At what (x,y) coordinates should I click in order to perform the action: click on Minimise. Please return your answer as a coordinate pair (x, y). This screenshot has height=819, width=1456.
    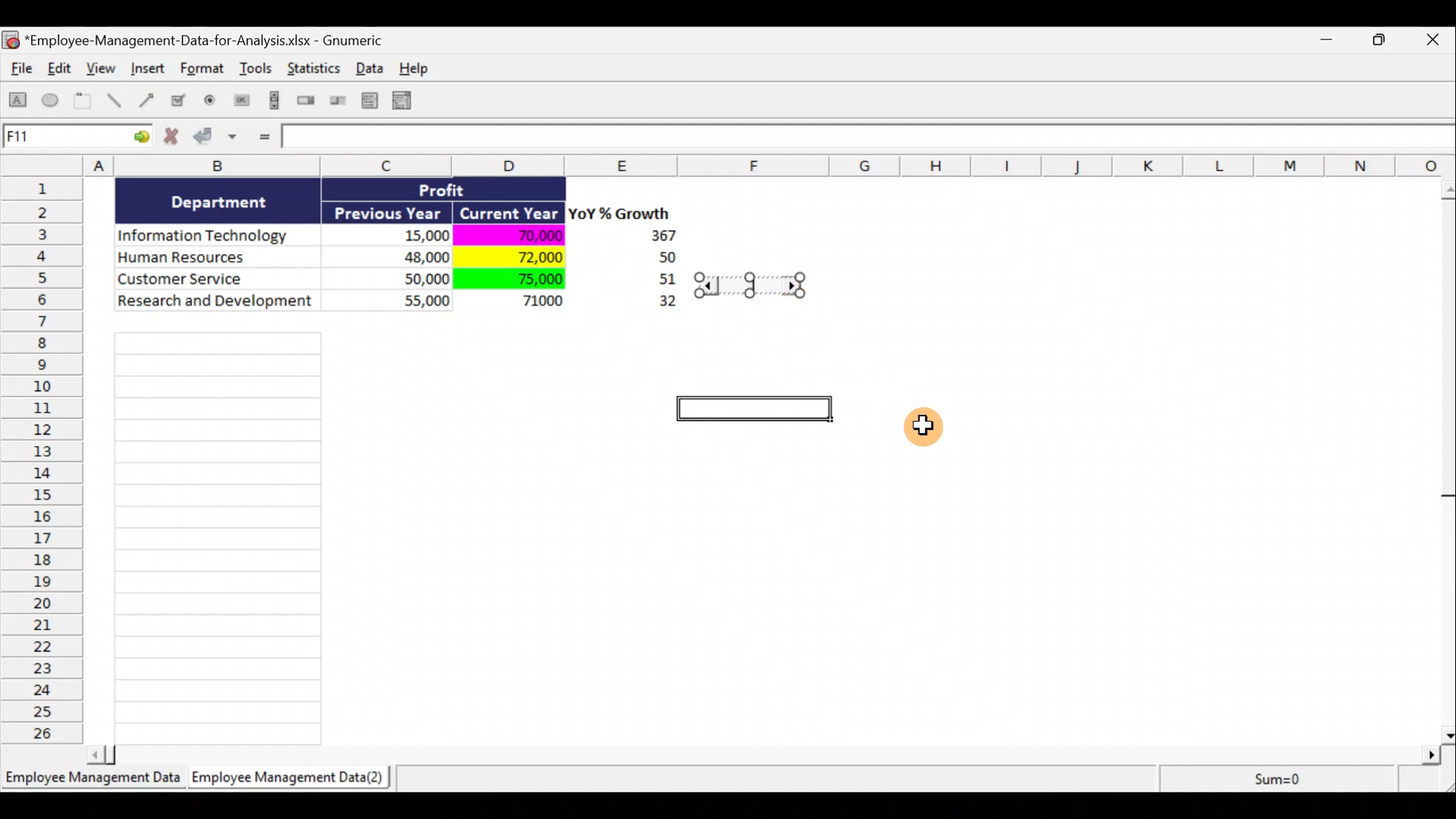
    Looking at the image, I should click on (1330, 42).